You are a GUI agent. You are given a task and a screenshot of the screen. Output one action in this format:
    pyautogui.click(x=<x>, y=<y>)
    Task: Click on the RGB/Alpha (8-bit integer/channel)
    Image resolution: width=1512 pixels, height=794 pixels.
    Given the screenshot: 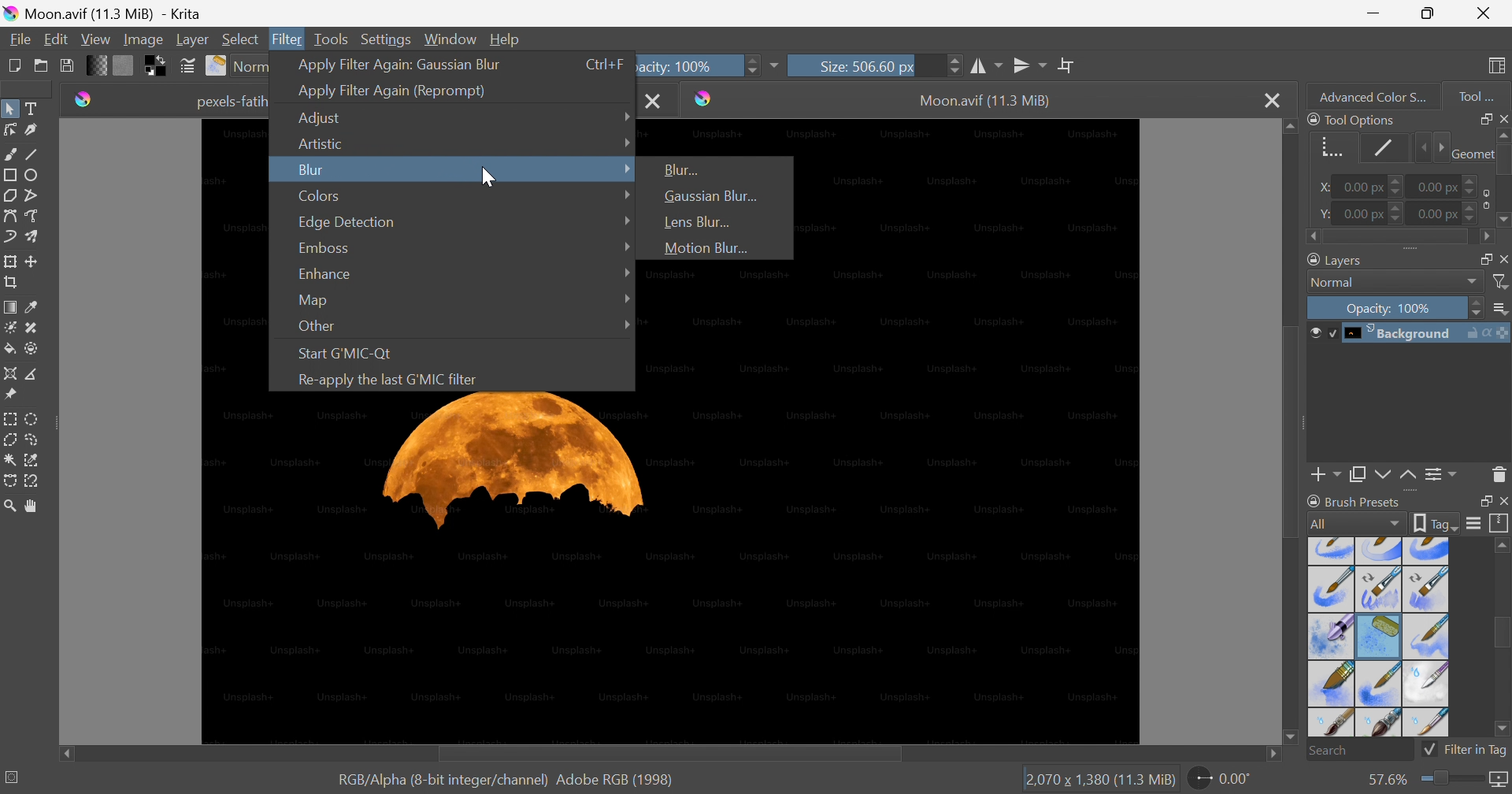 What is the action you would take?
    pyautogui.click(x=439, y=781)
    